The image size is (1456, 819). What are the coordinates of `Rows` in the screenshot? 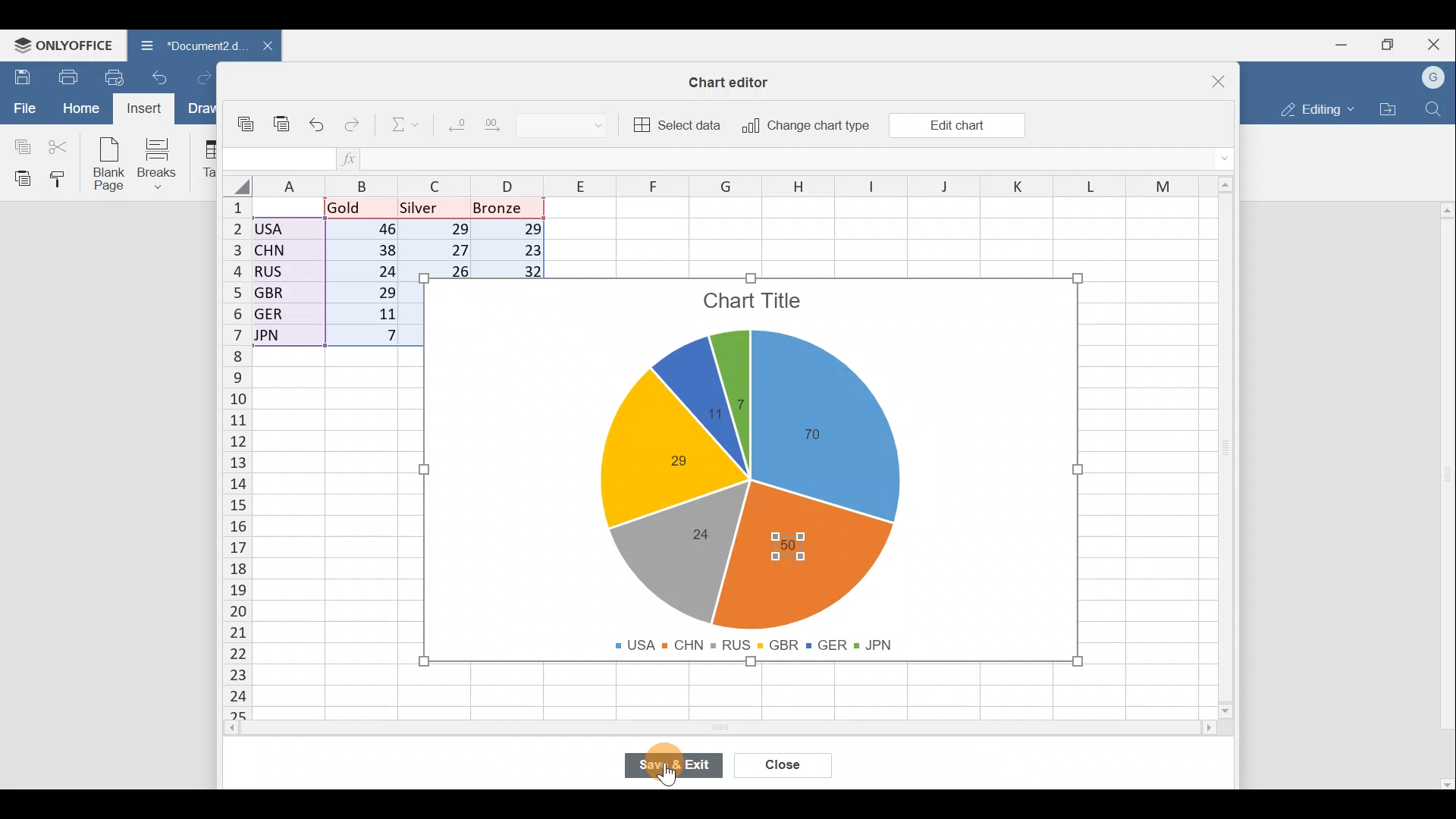 It's located at (237, 449).